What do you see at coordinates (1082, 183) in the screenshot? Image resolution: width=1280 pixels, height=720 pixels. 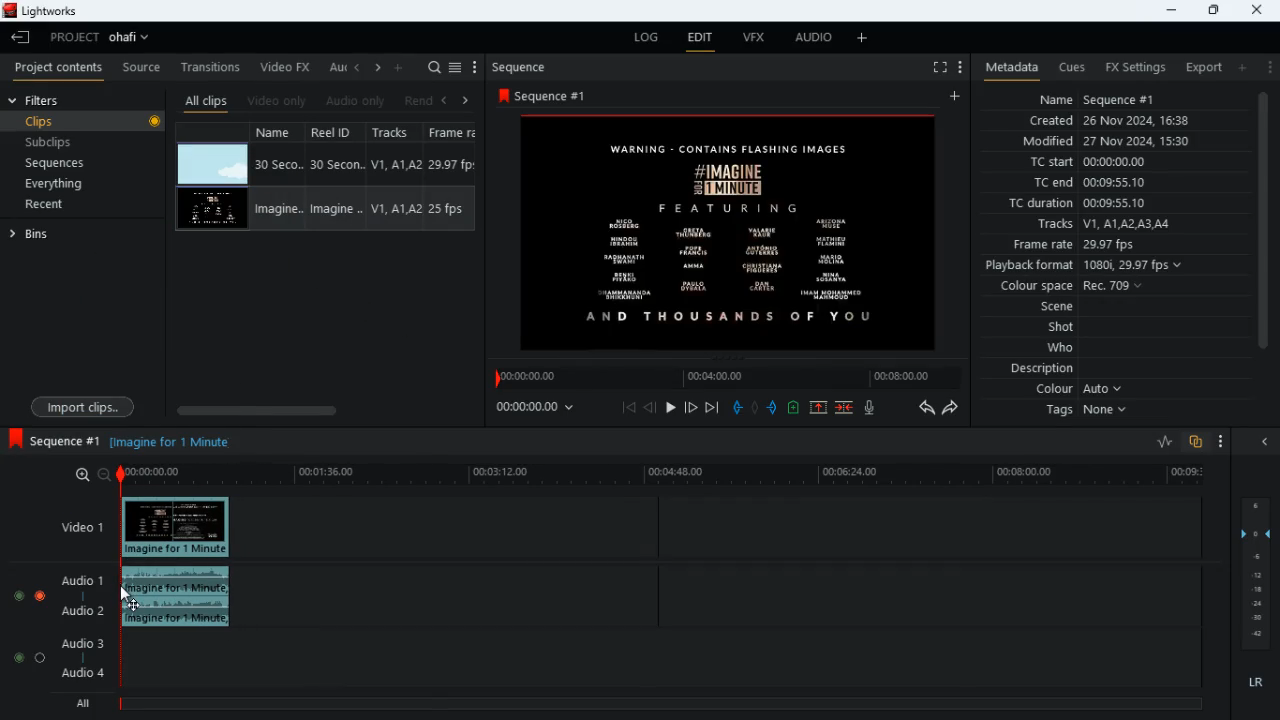 I see `tc end` at bounding box center [1082, 183].